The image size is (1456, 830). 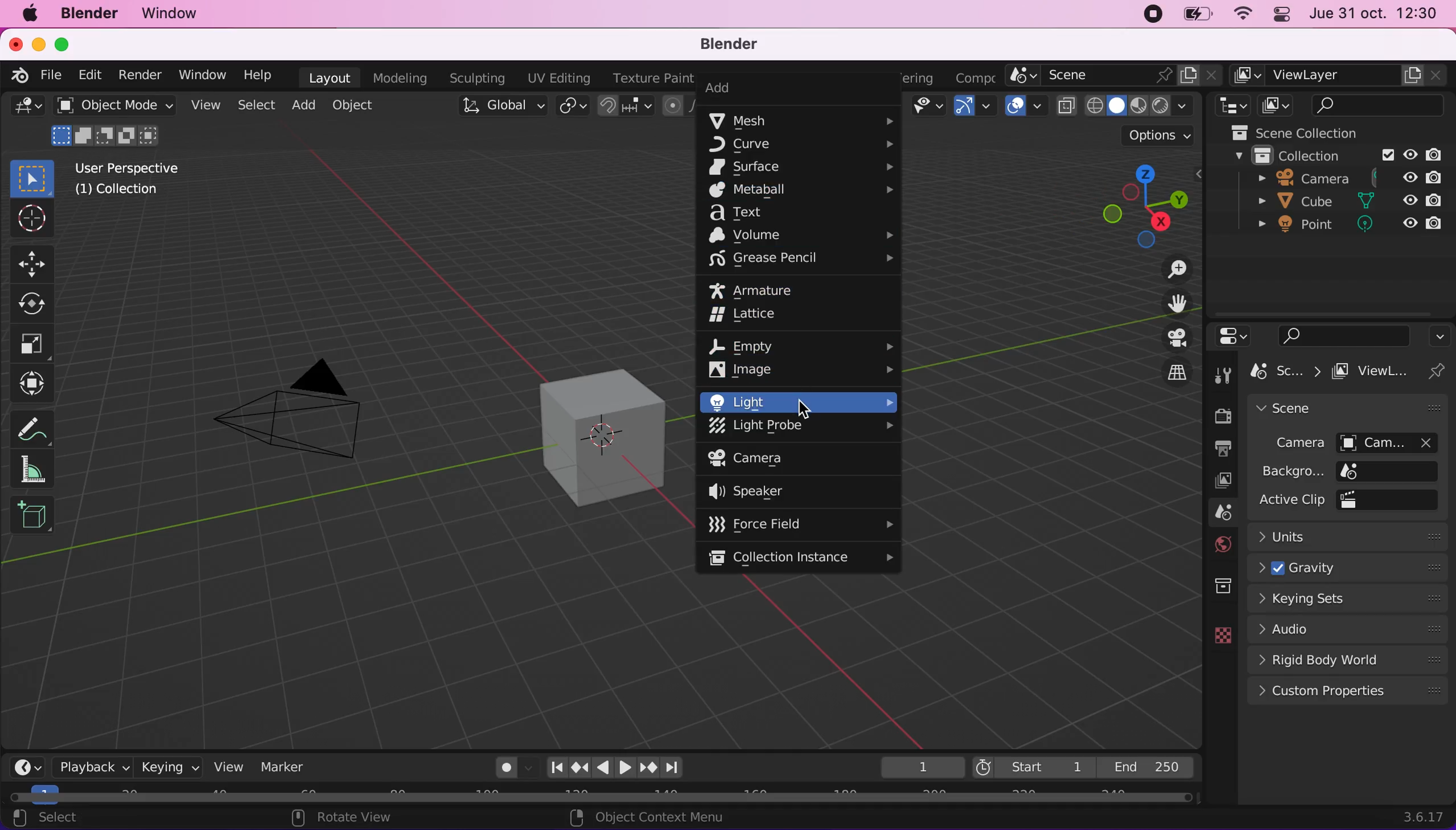 What do you see at coordinates (1166, 372) in the screenshot?
I see `toggle the current view` at bounding box center [1166, 372].